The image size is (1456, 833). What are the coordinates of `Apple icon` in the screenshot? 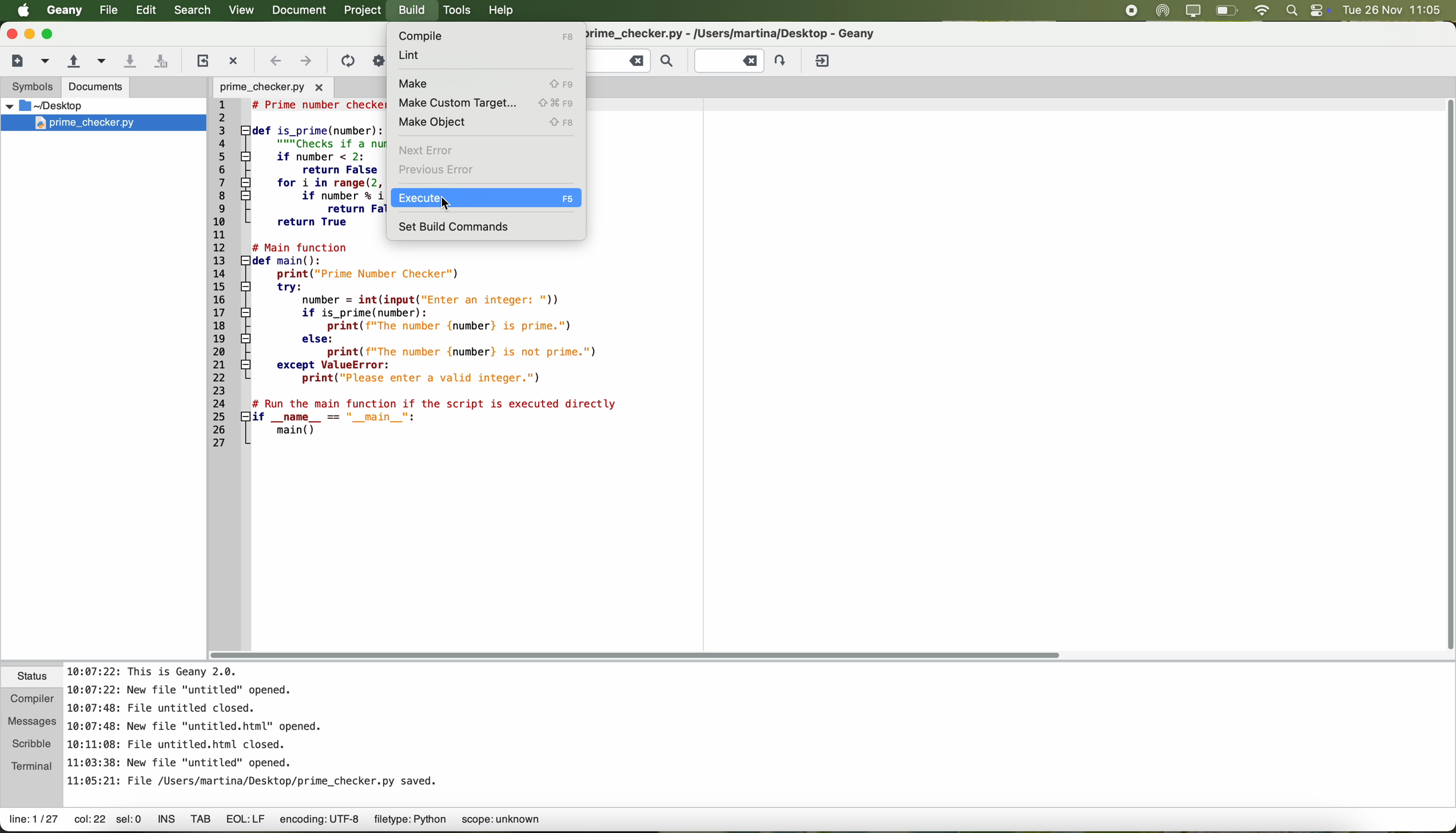 It's located at (18, 10).